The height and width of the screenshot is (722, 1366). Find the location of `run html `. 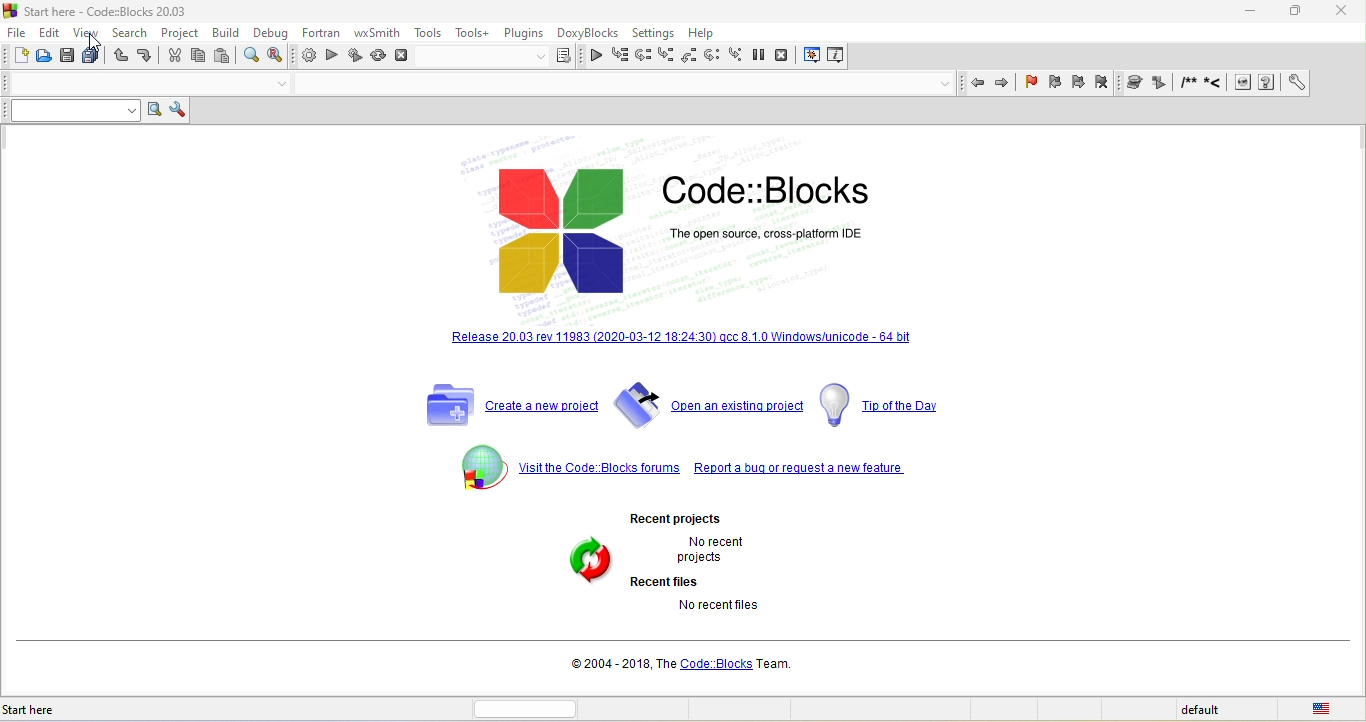

run html  is located at coordinates (1244, 84).